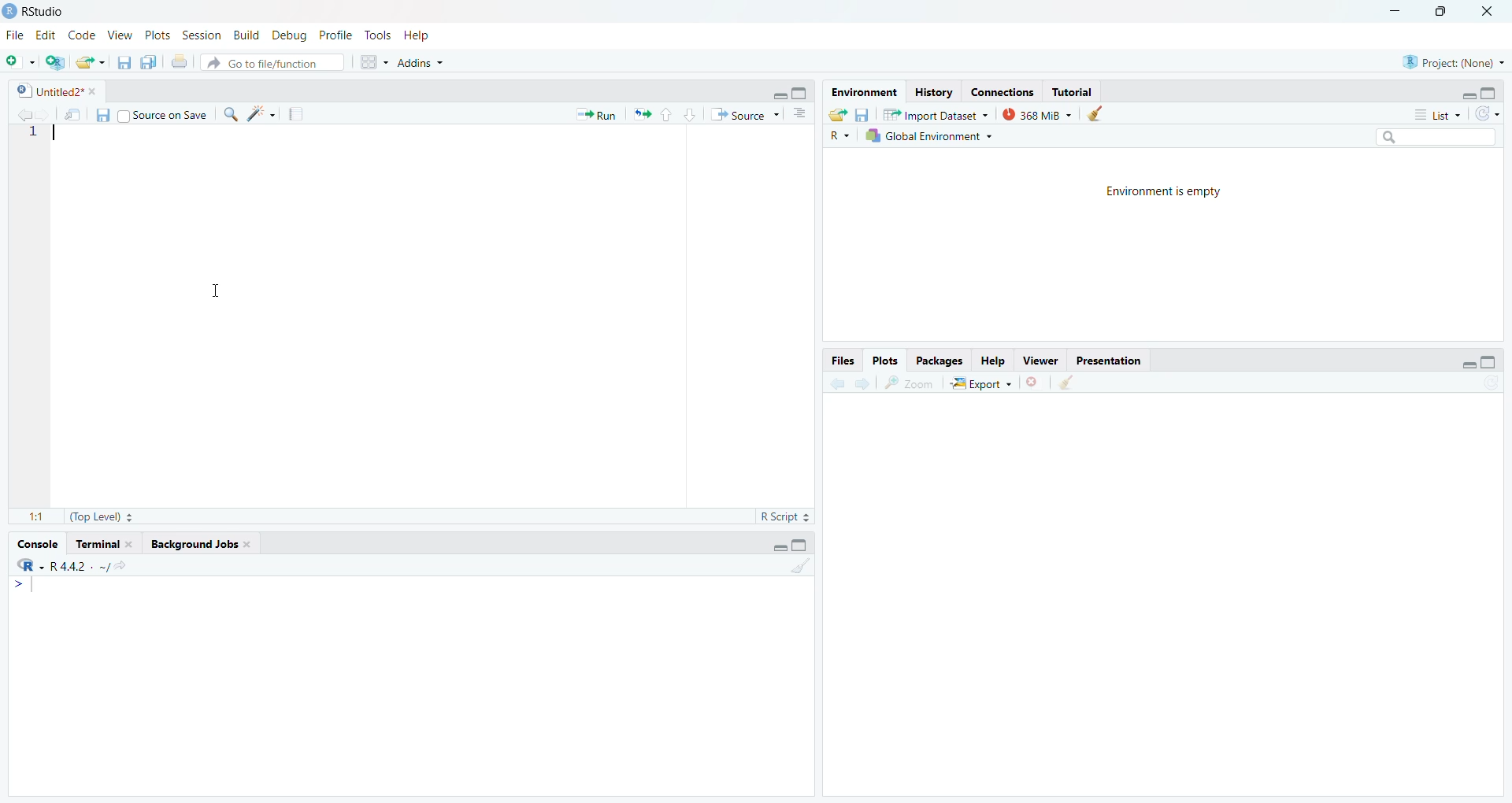 The width and height of the screenshot is (1512, 803). Describe the element at coordinates (217, 290) in the screenshot. I see `cursor` at that location.